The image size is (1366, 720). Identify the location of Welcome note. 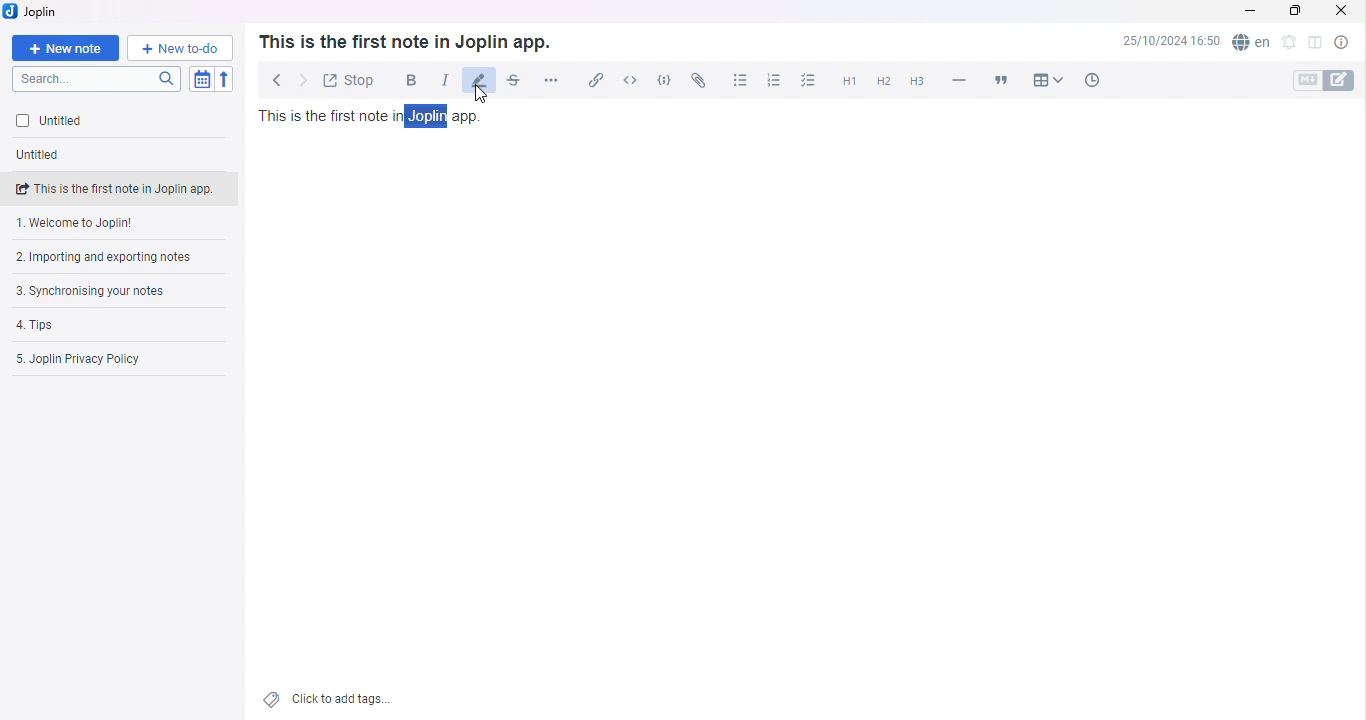
(116, 224).